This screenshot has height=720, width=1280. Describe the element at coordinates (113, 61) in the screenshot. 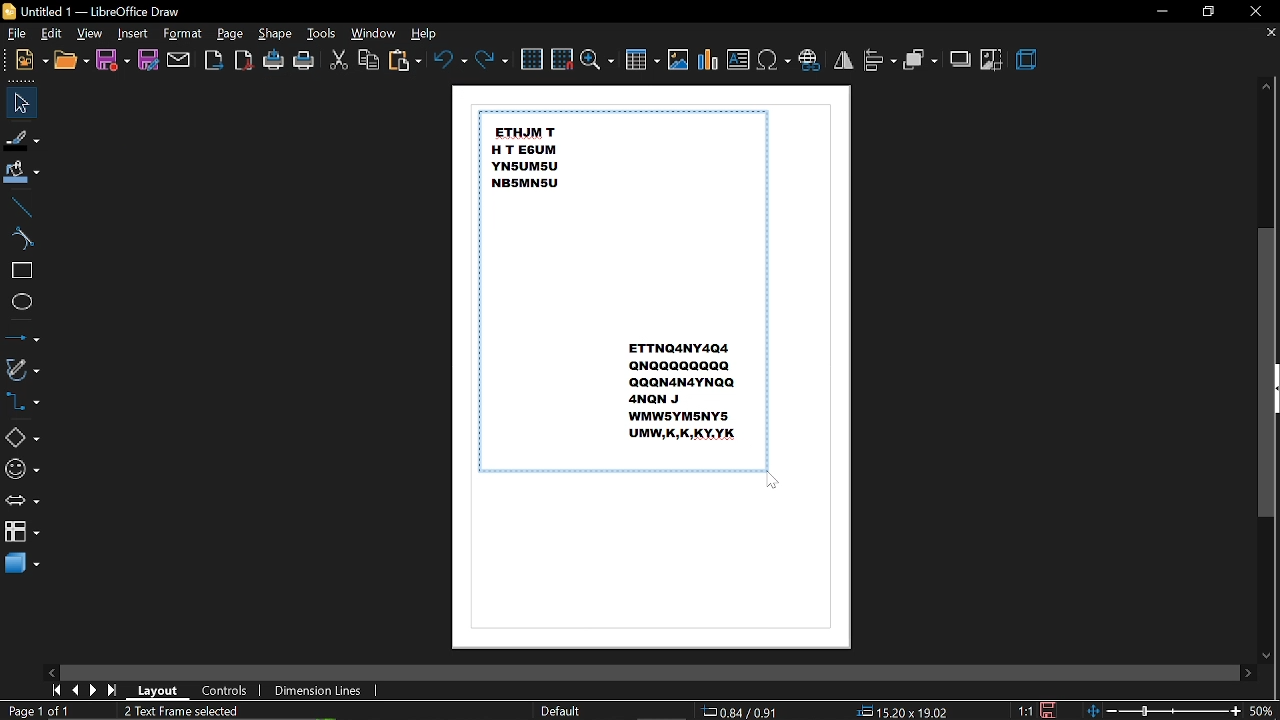

I see `save ` at that location.